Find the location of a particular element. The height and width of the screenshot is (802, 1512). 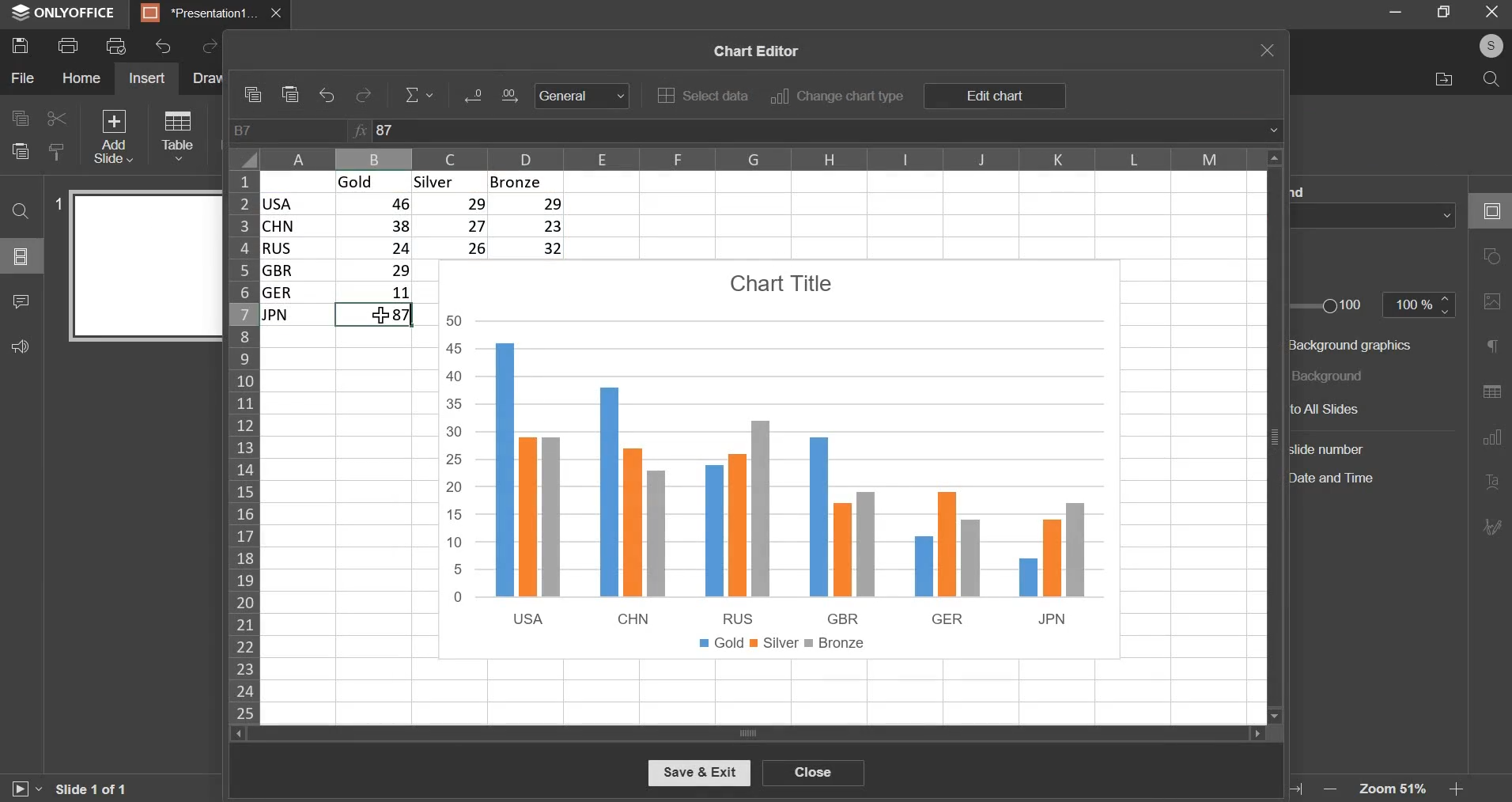

23 is located at coordinates (531, 225).